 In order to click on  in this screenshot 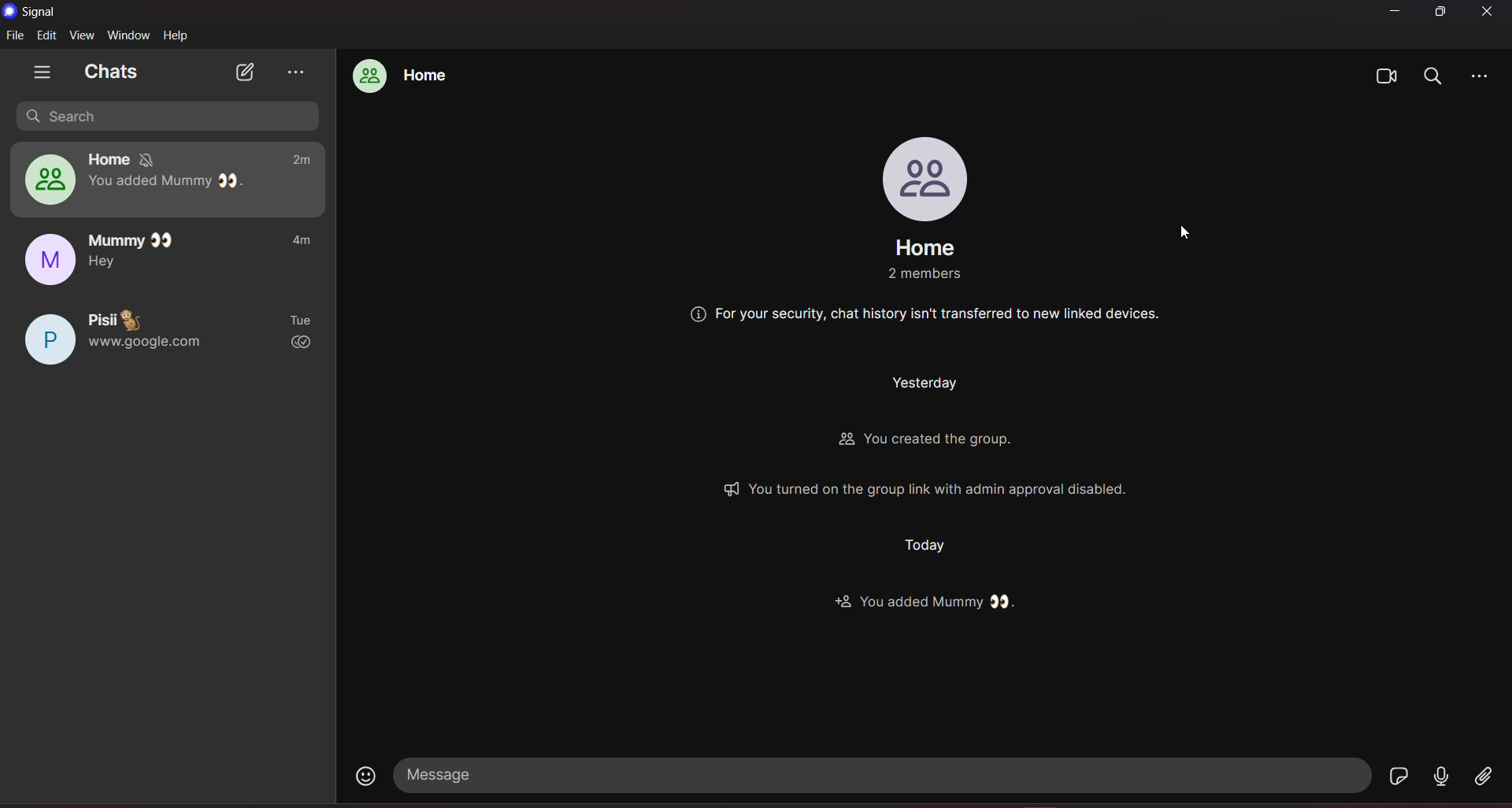, I will do `click(925, 490)`.